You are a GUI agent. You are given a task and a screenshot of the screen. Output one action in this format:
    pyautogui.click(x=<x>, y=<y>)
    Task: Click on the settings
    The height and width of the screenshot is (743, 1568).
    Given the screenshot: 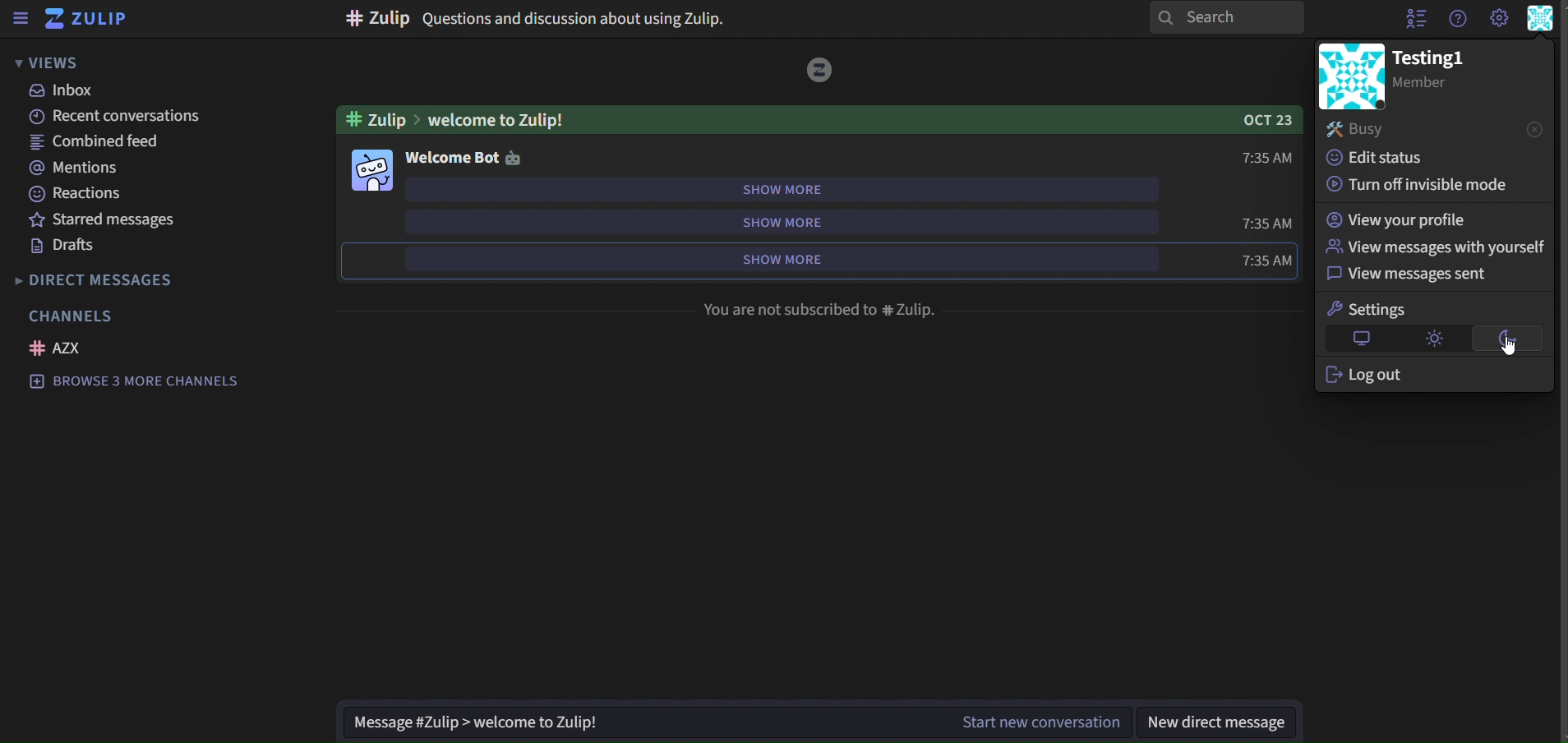 What is the action you would take?
    pyautogui.click(x=1371, y=309)
    